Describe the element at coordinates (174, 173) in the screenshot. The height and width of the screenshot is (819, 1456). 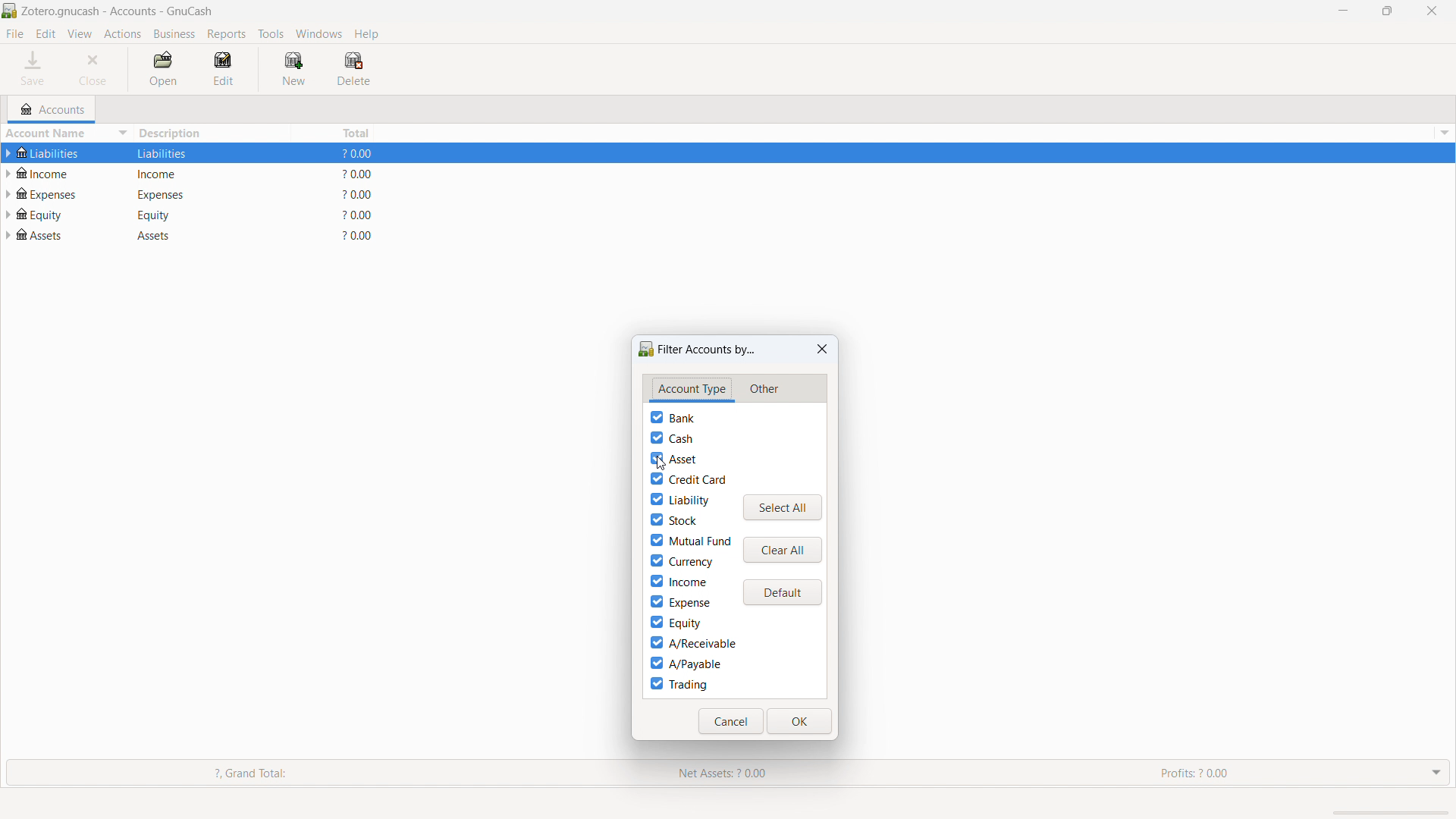
I see `Income` at that location.